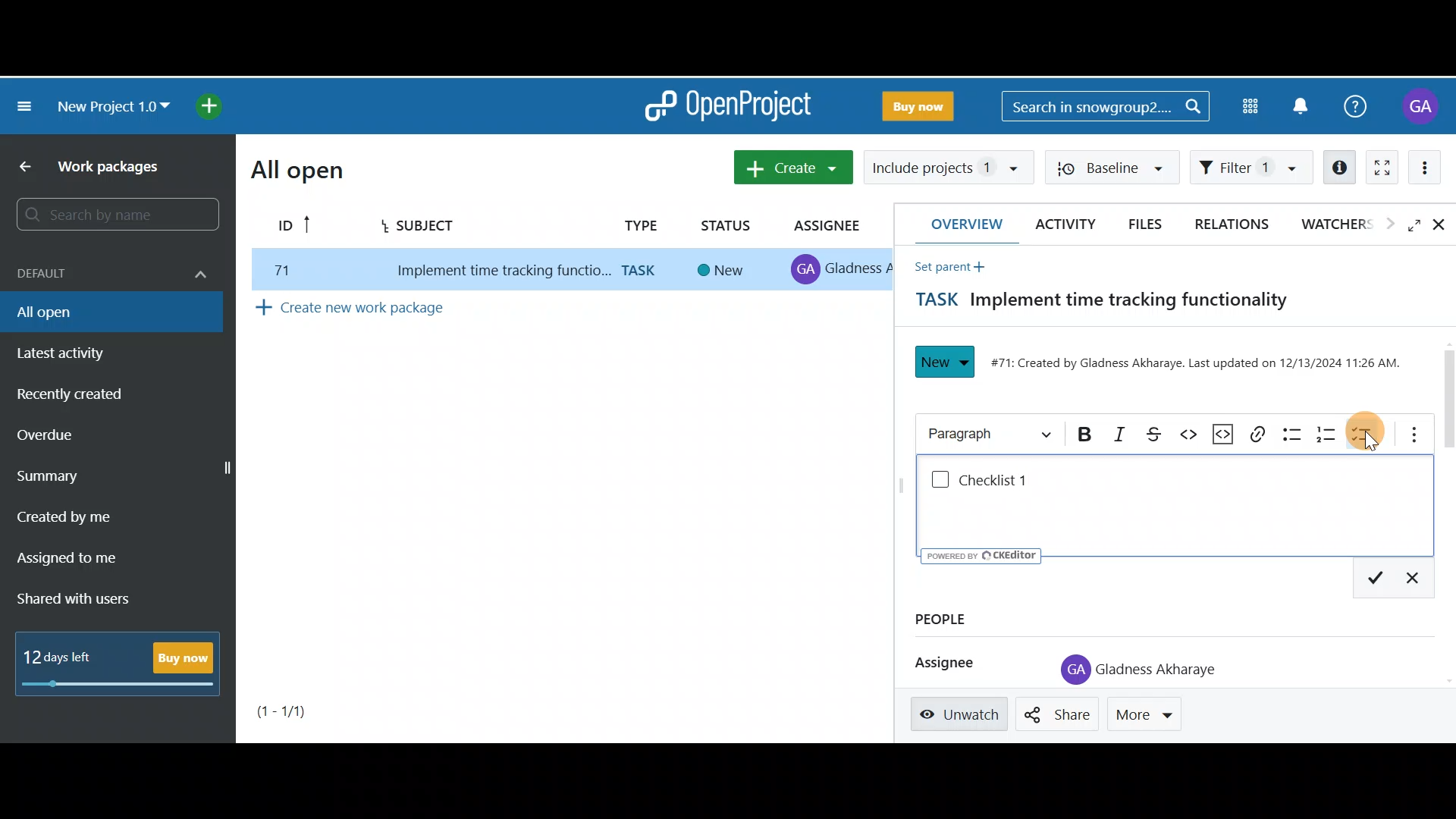  What do you see at coordinates (1420, 579) in the screenshot?
I see `Exit` at bounding box center [1420, 579].